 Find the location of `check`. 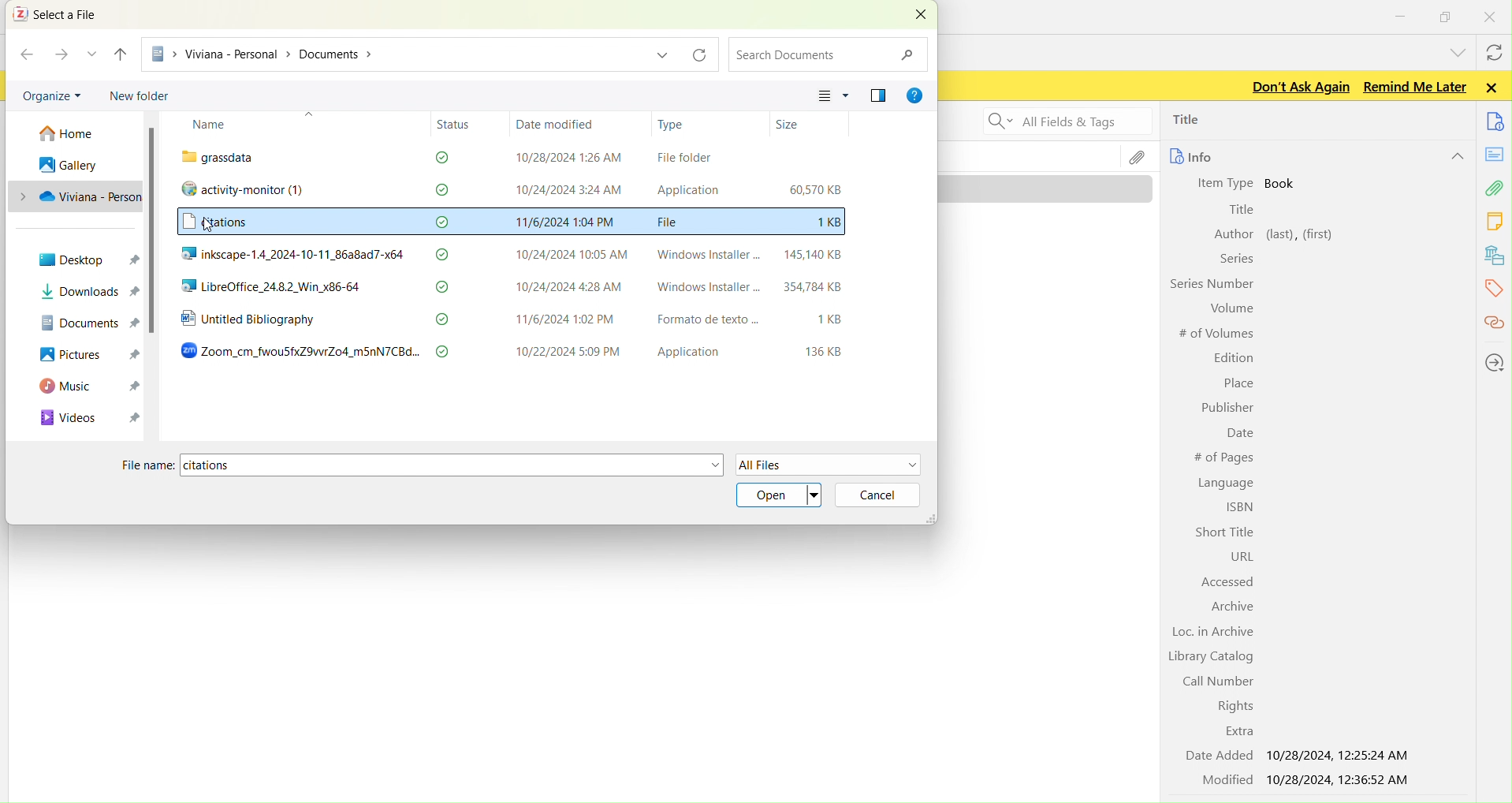

check is located at coordinates (445, 254).